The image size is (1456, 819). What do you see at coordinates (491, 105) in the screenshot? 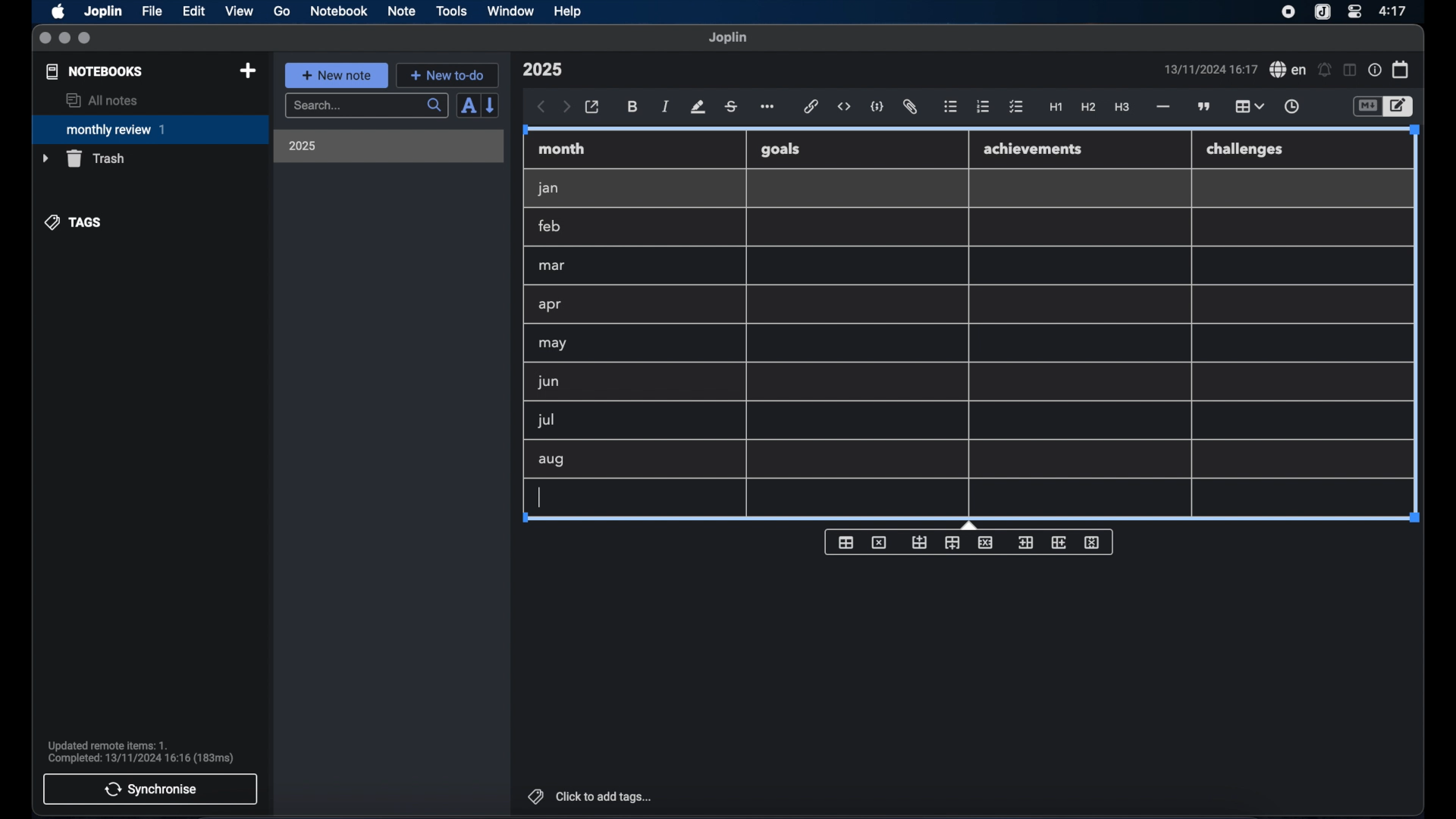
I see `reverse sort order` at bounding box center [491, 105].